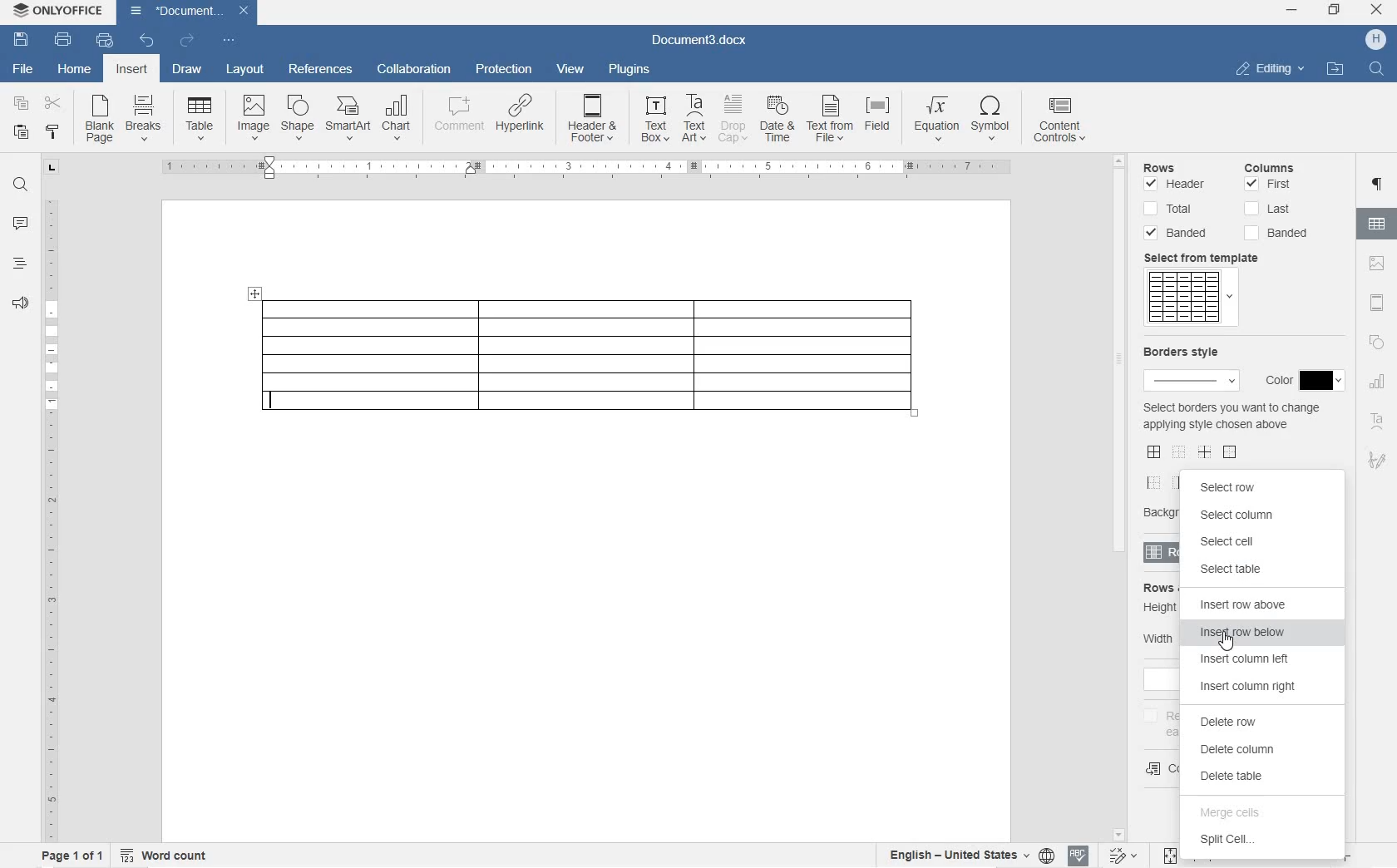  Describe the element at coordinates (1163, 513) in the screenshot. I see `background color` at that location.